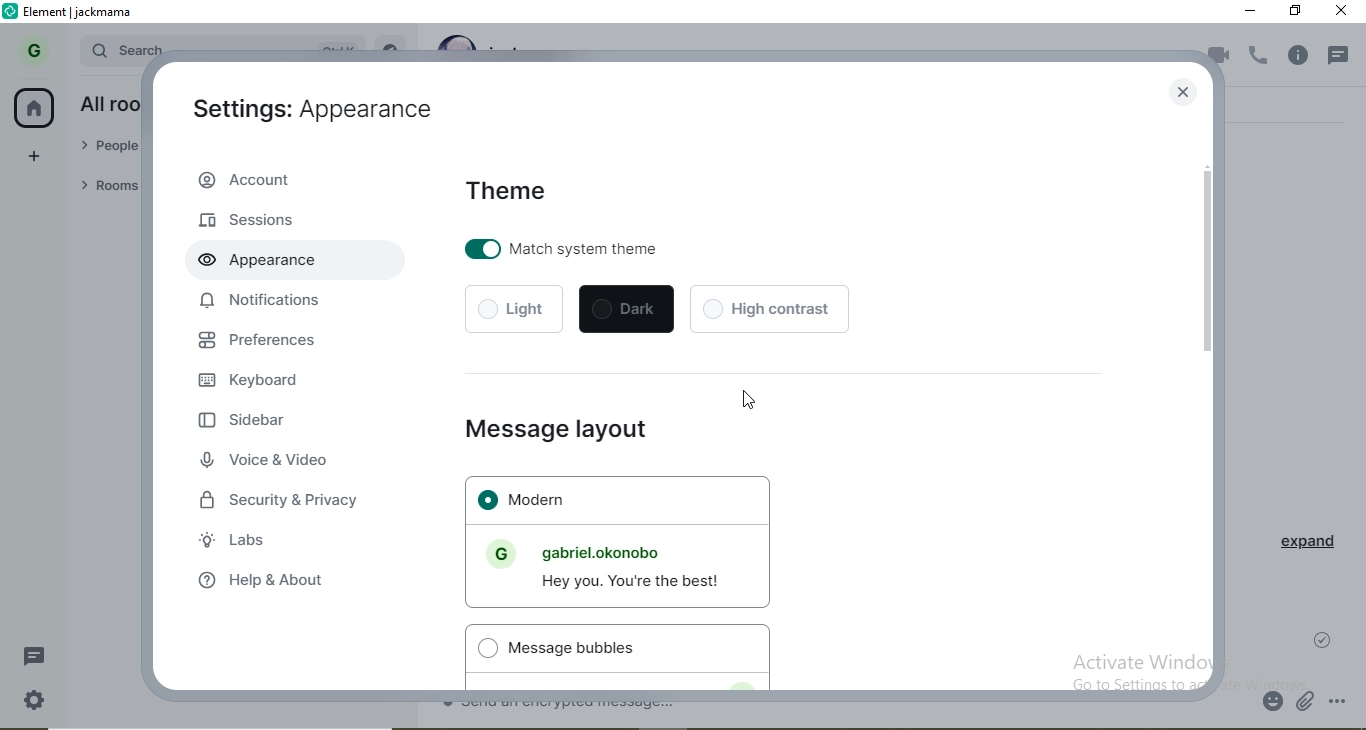  I want to click on scroll bar, so click(1209, 264).